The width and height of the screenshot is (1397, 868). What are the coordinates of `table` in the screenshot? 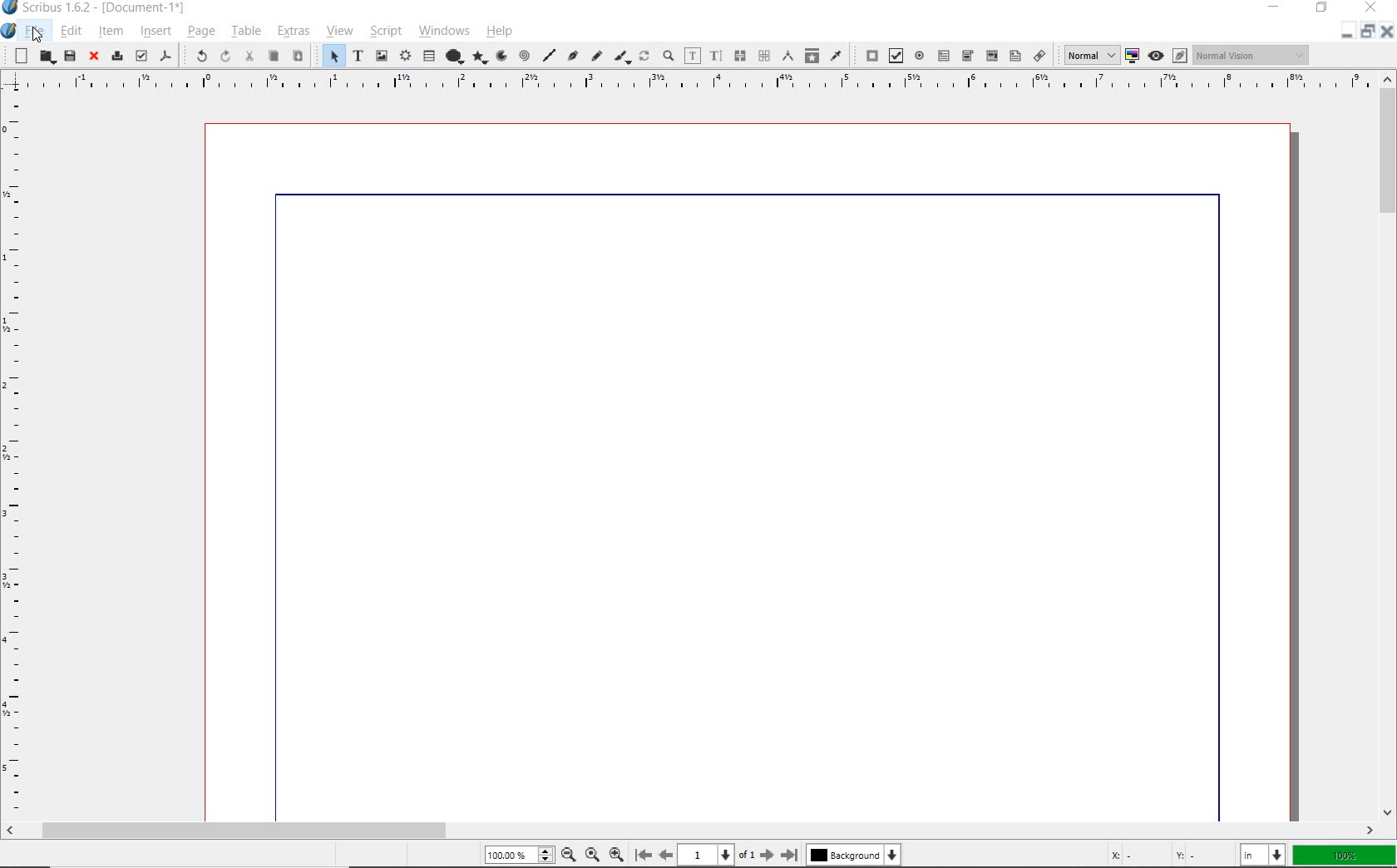 It's located at (245, 31).